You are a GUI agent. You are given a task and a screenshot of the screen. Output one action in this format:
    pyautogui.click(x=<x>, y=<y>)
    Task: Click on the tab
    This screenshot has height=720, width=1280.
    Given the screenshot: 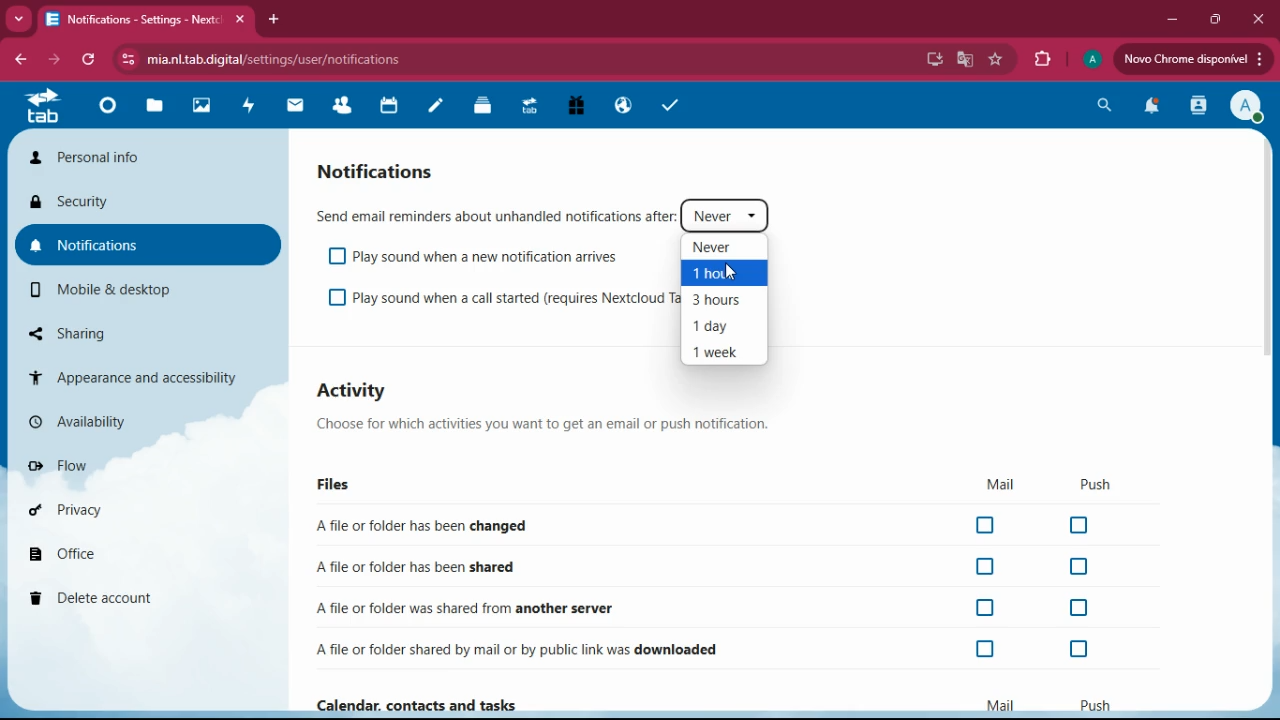 What is the action you would take?
    pyautogui.click(x=150, y=21)
    